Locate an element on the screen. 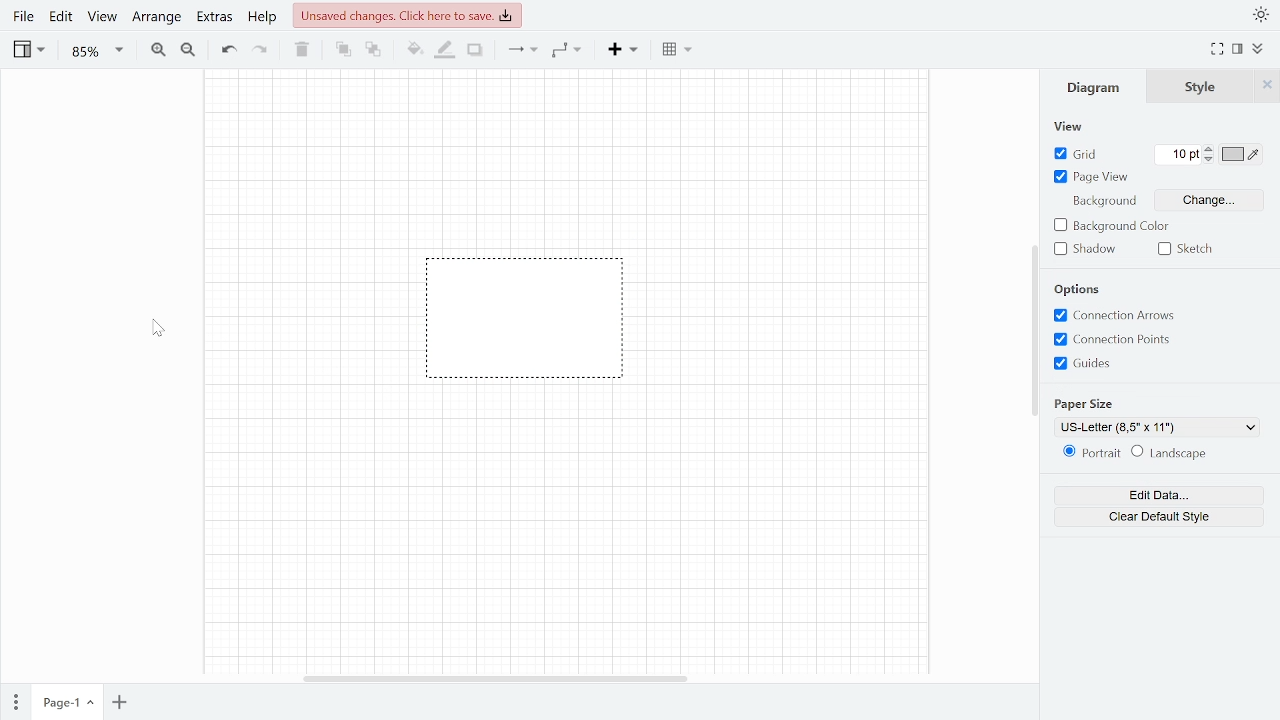  Grid is located at coordinates (1080, 154).